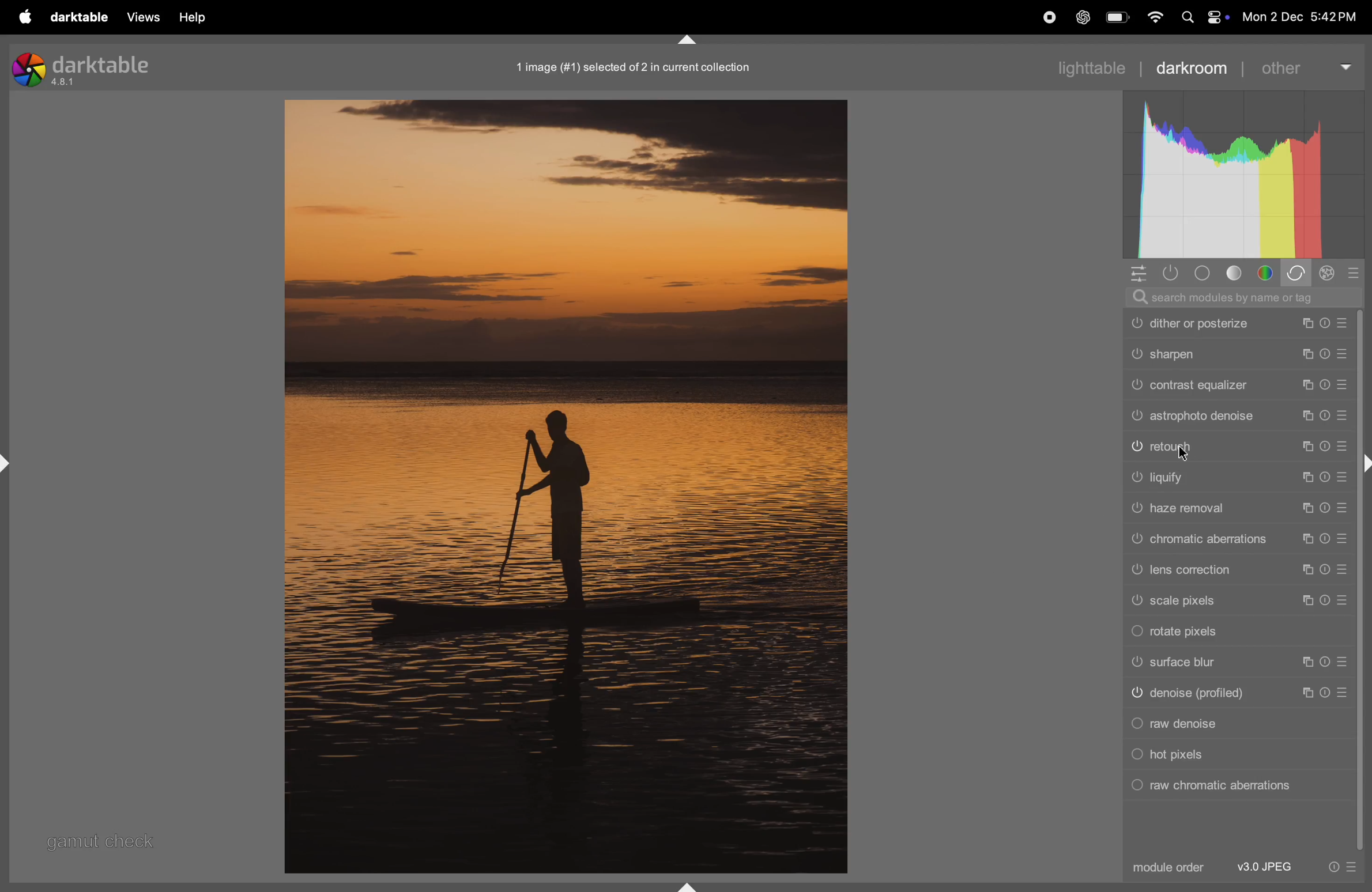 The image size is (1372, 892). Describe the element at coordinates (1239, 694) in the screenshot. I see `denoise profiled` at that location.